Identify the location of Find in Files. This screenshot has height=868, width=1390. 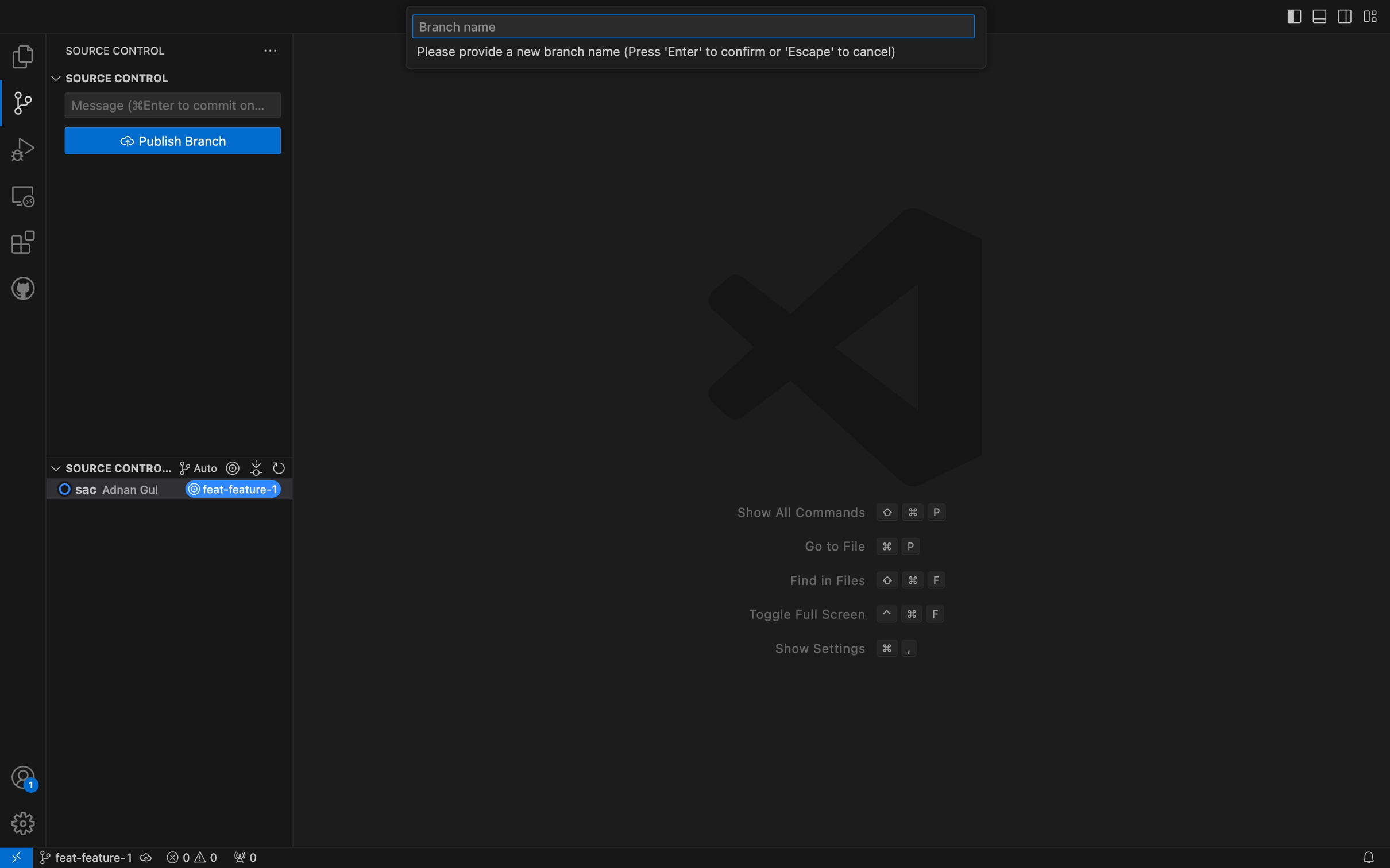
(817, 580).